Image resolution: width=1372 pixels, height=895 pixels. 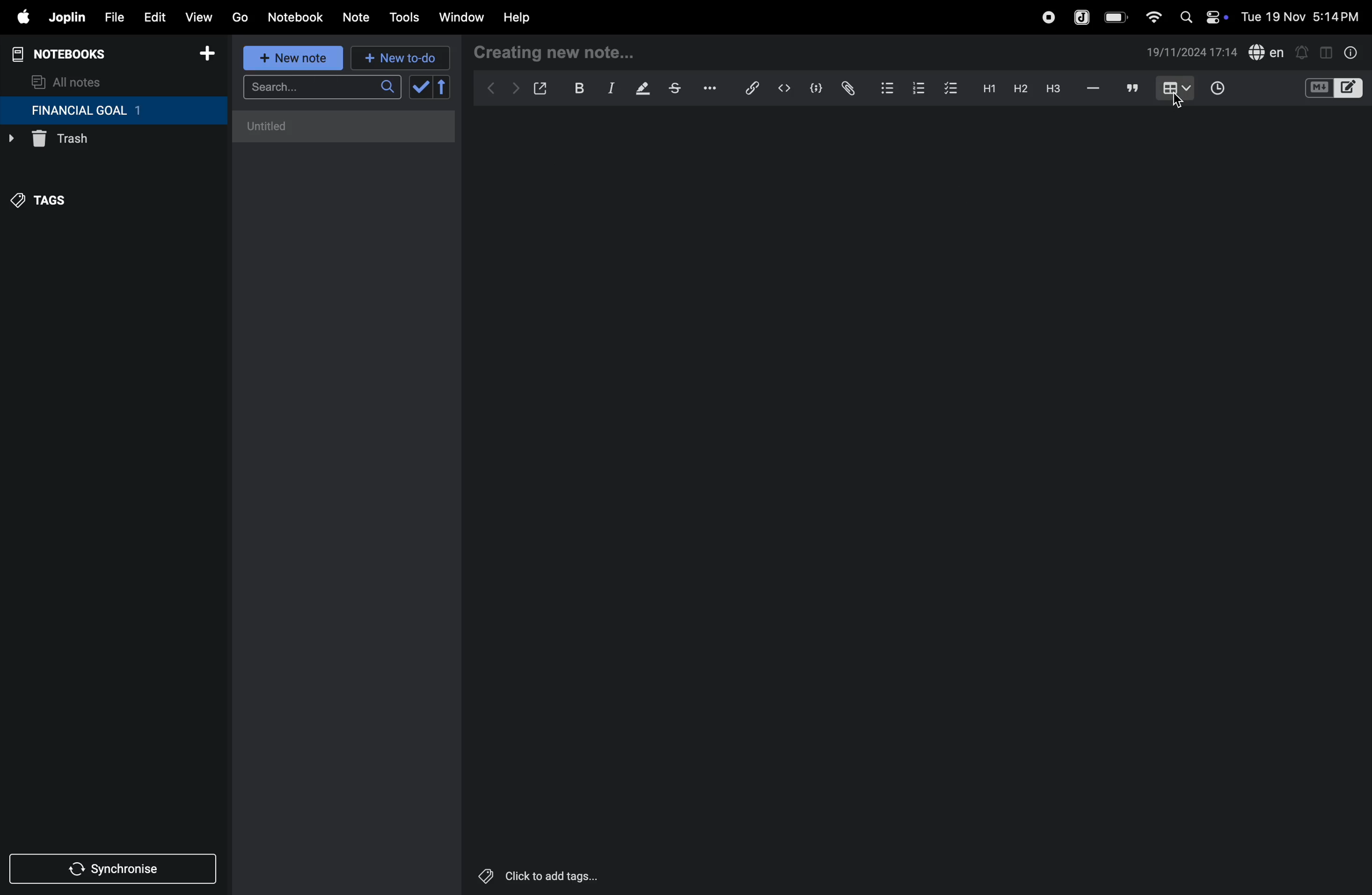 What do you see at coordinates (1332, 88) in the screenshot?
I see `switch editor` at bounding box center [1332, 88].